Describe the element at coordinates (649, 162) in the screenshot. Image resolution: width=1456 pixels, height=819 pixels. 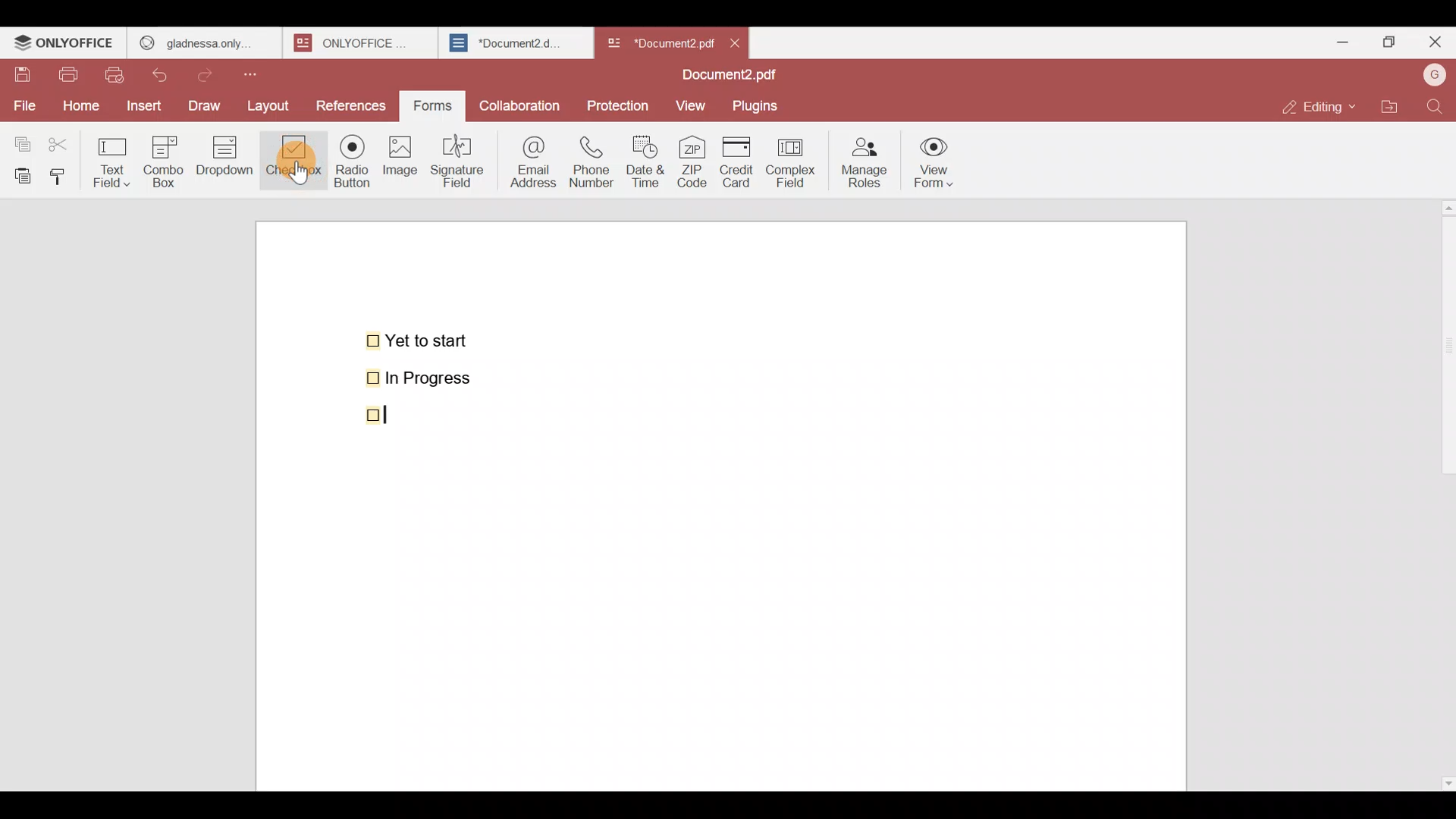
I see `Date & time` at that location.